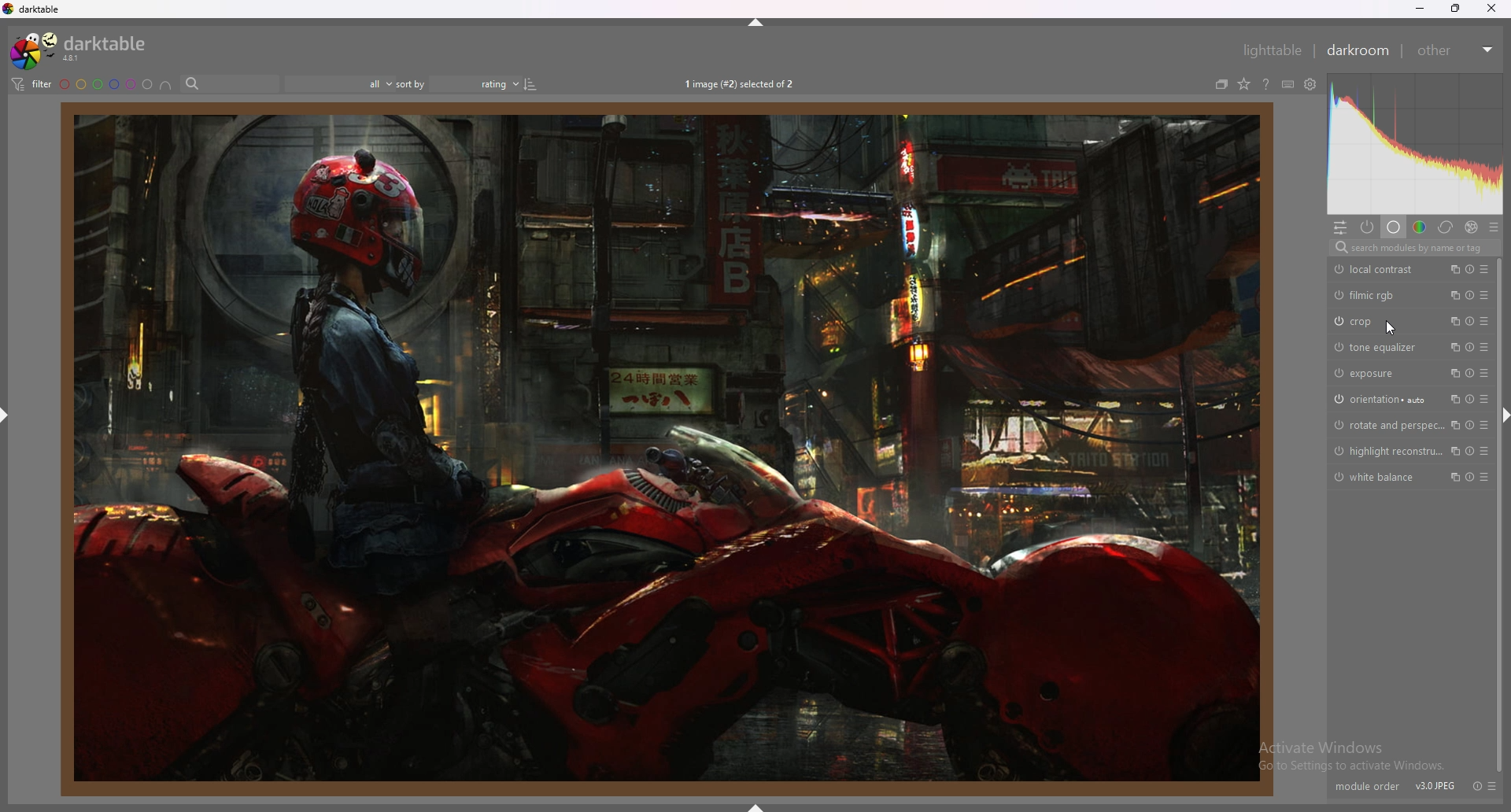 Image resolution: width=1511 pixels, height=812 pixels. Describe the element at coordinates (166, 84) in the screenshot. I see `include color labels` at that location.